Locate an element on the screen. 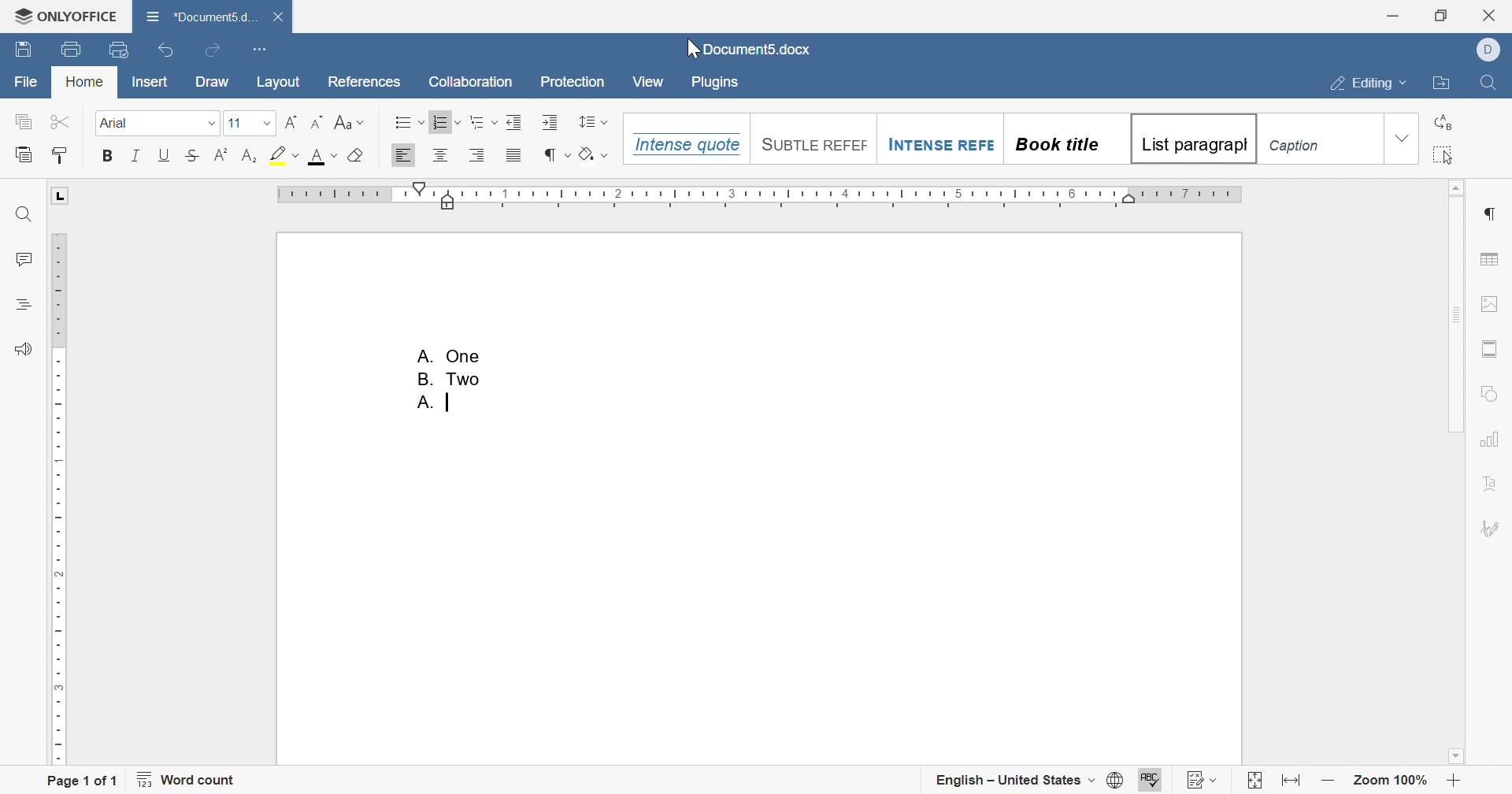  find is located at coordinates (1495, 83).